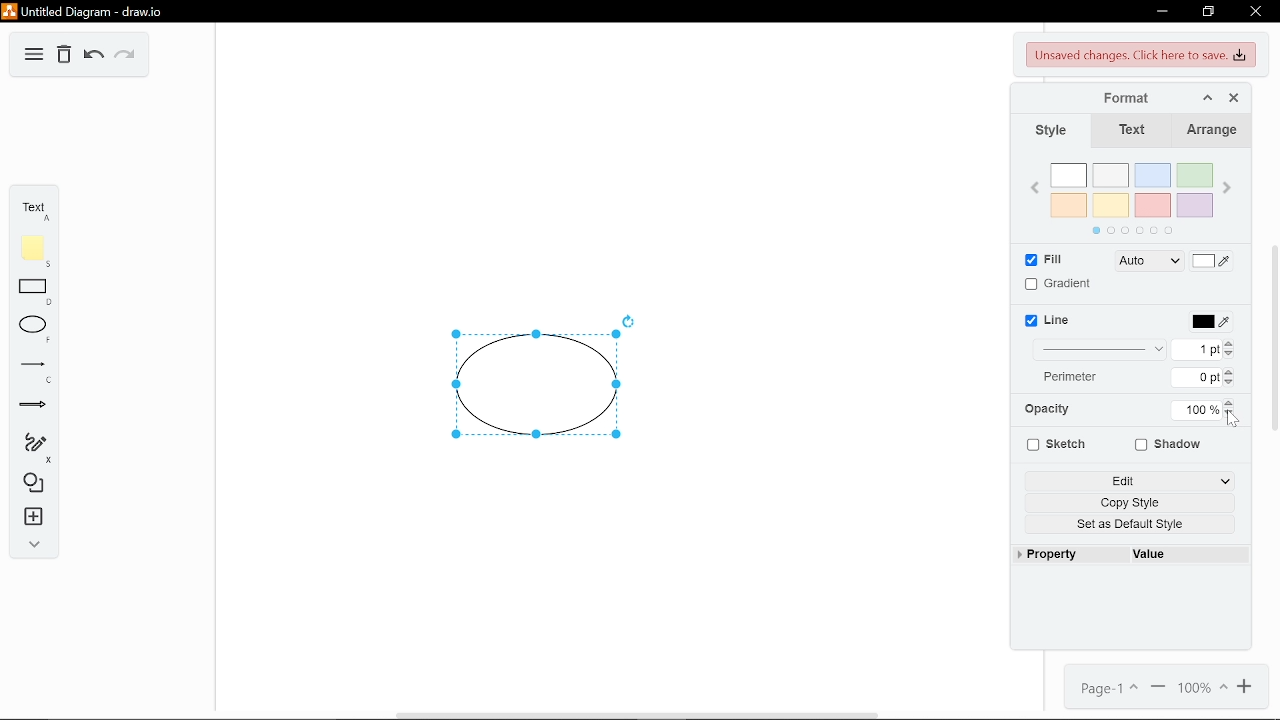 The height and width of the screenshot is (720, 1280). What do you see at coordinates (1102, 349) in the screenshot?
I see `Line thickness` at bounding box center [1102, 349].